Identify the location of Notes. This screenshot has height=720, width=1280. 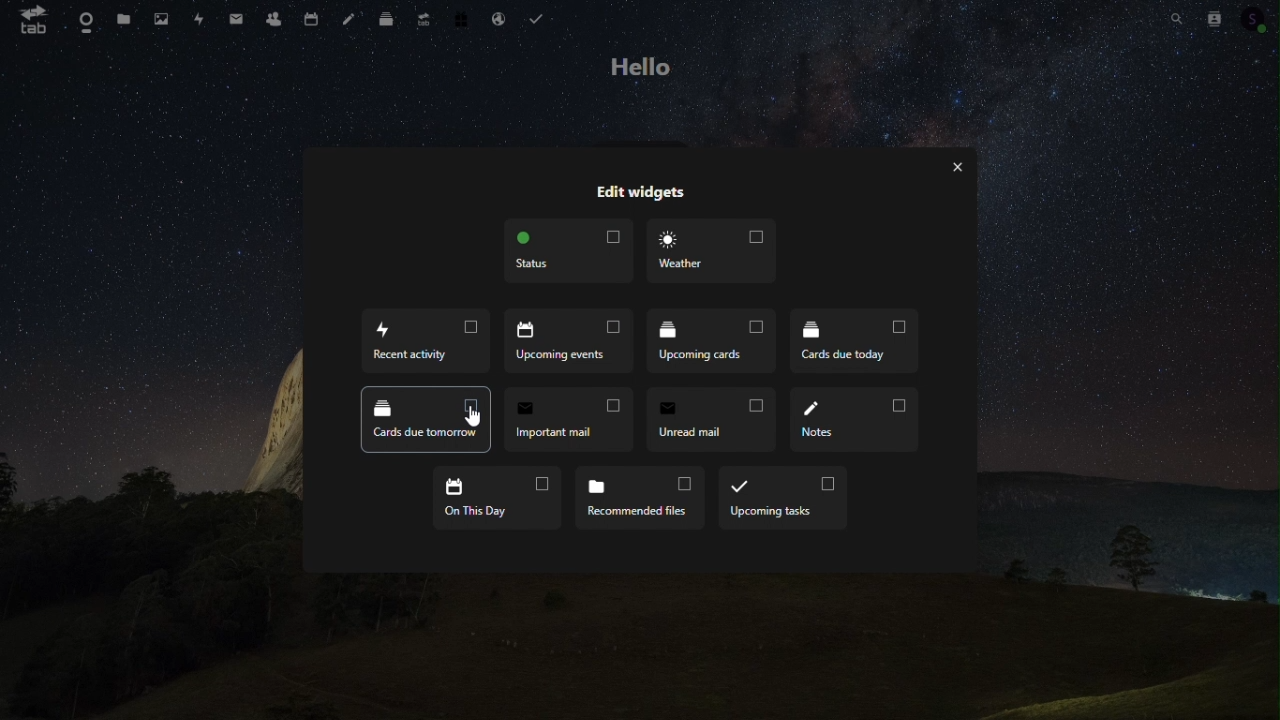
(856, 420).